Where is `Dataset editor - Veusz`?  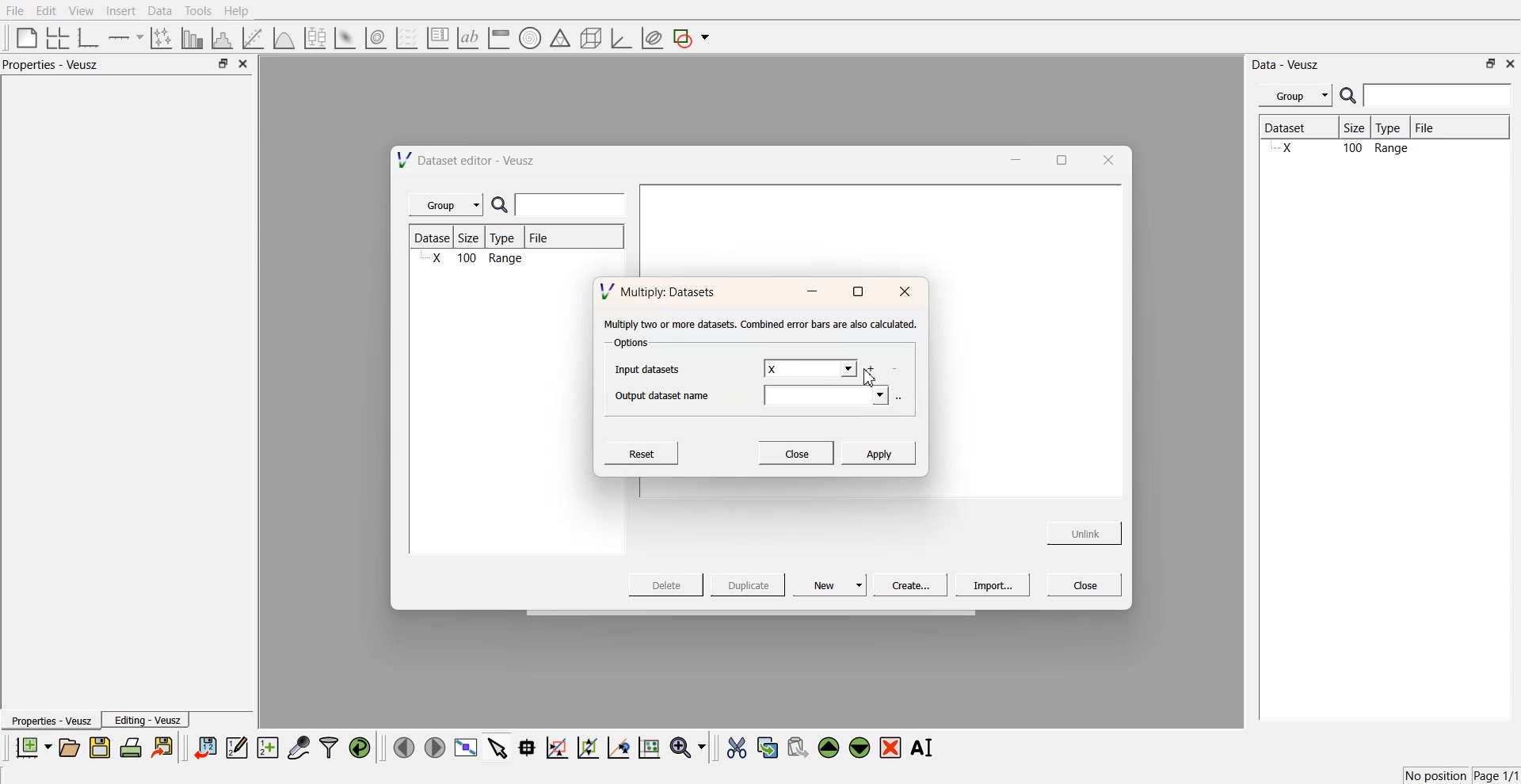 Dataset editor - Veusz is located at coordinates (468, 160).